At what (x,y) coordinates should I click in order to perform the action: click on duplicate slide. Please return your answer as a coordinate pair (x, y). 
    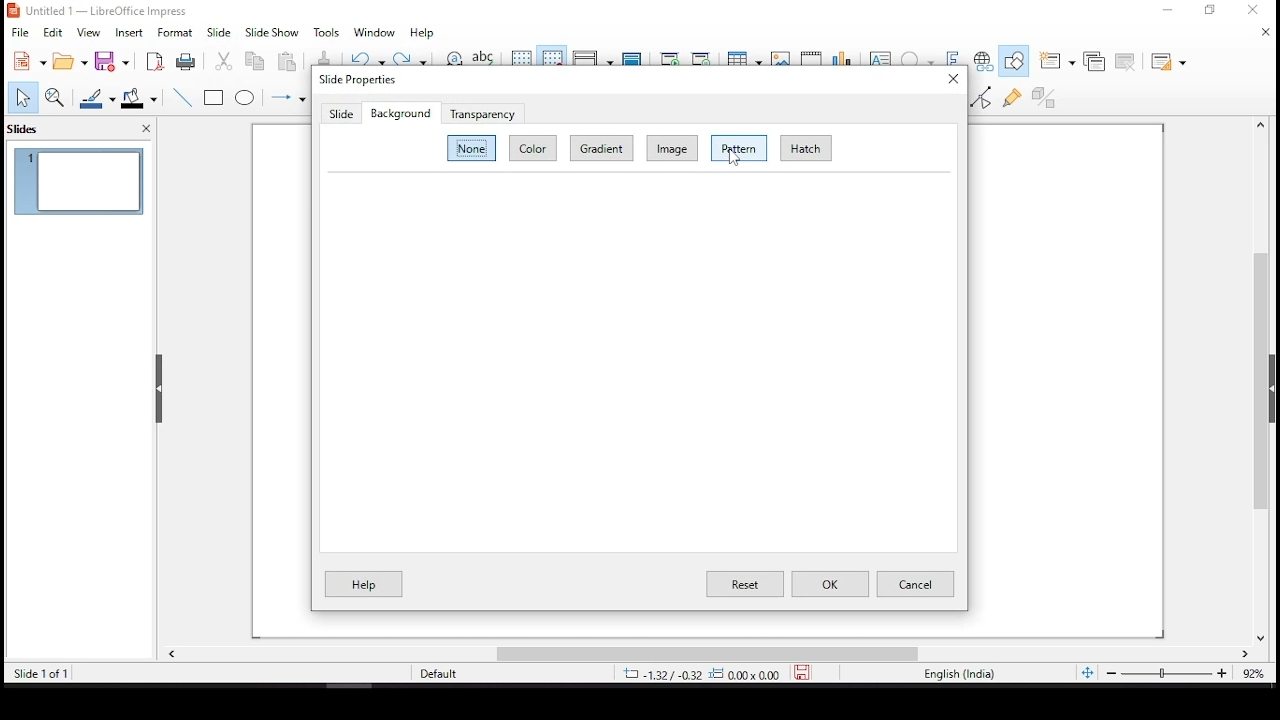
    Looking at the image, I should click on (1094, 61).